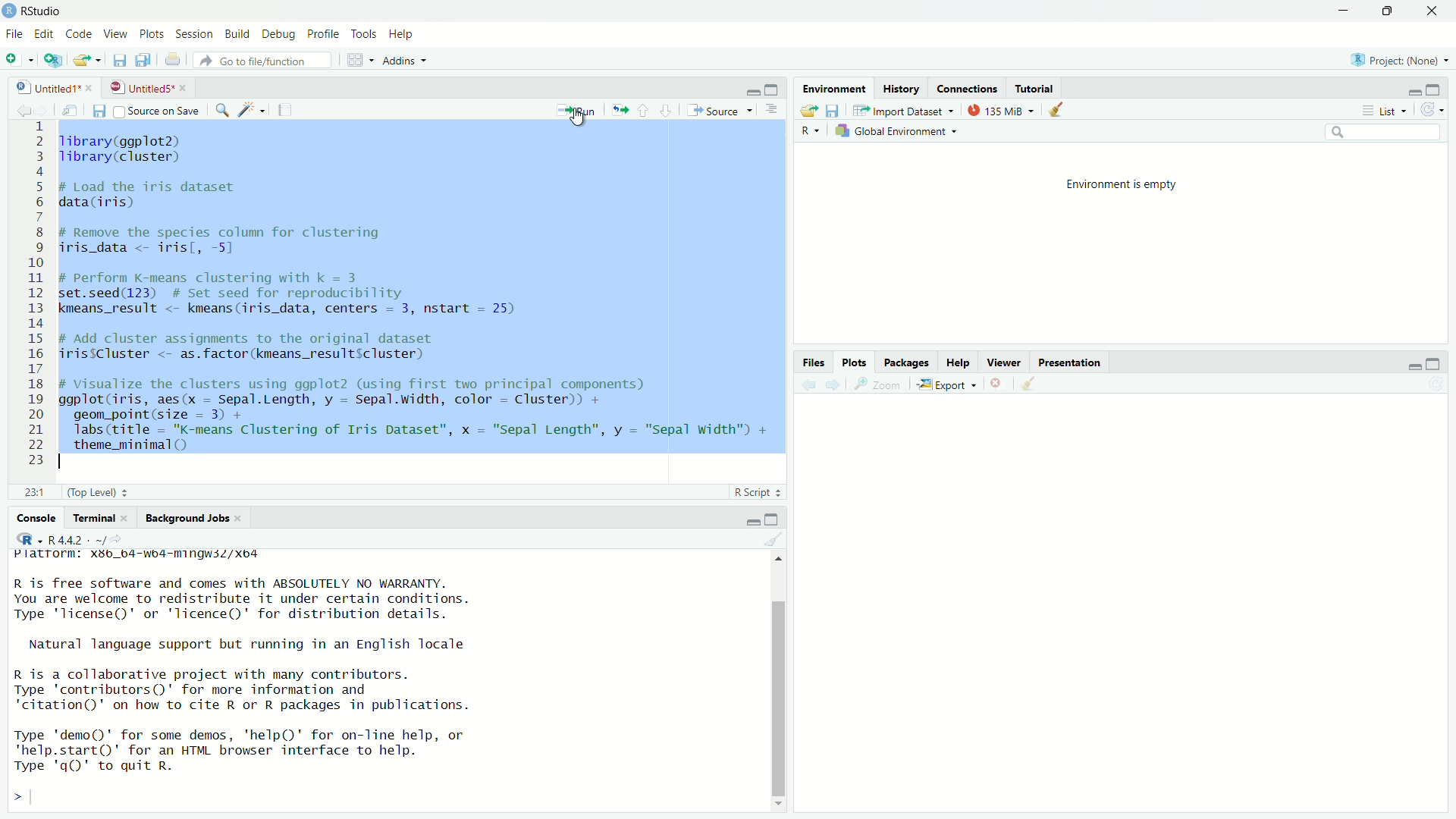  Describe the element at coordinates (194, 33) in the screenshot. I see `session` at that location.